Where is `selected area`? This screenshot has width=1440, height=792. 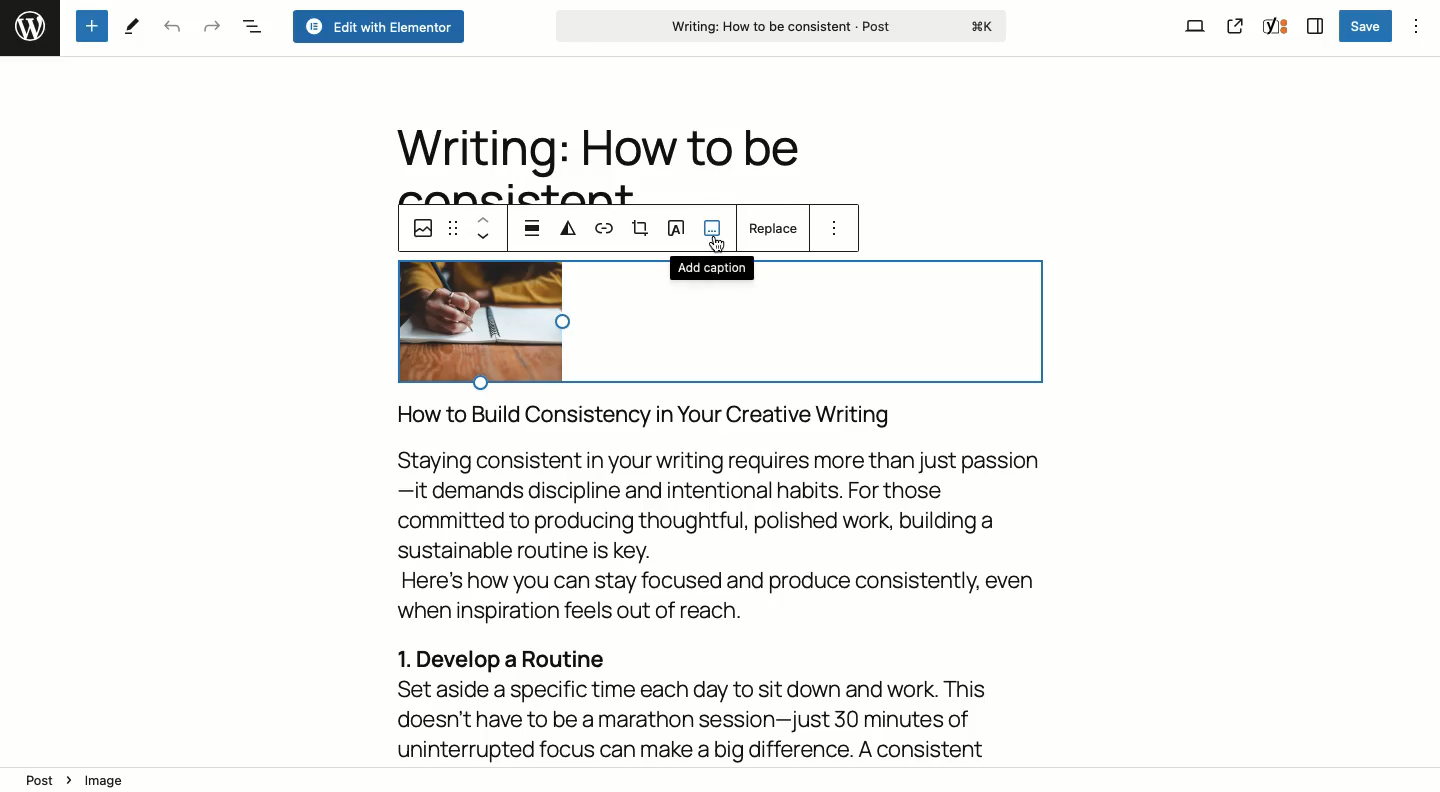
selected area is located at coordinates (719, 333).